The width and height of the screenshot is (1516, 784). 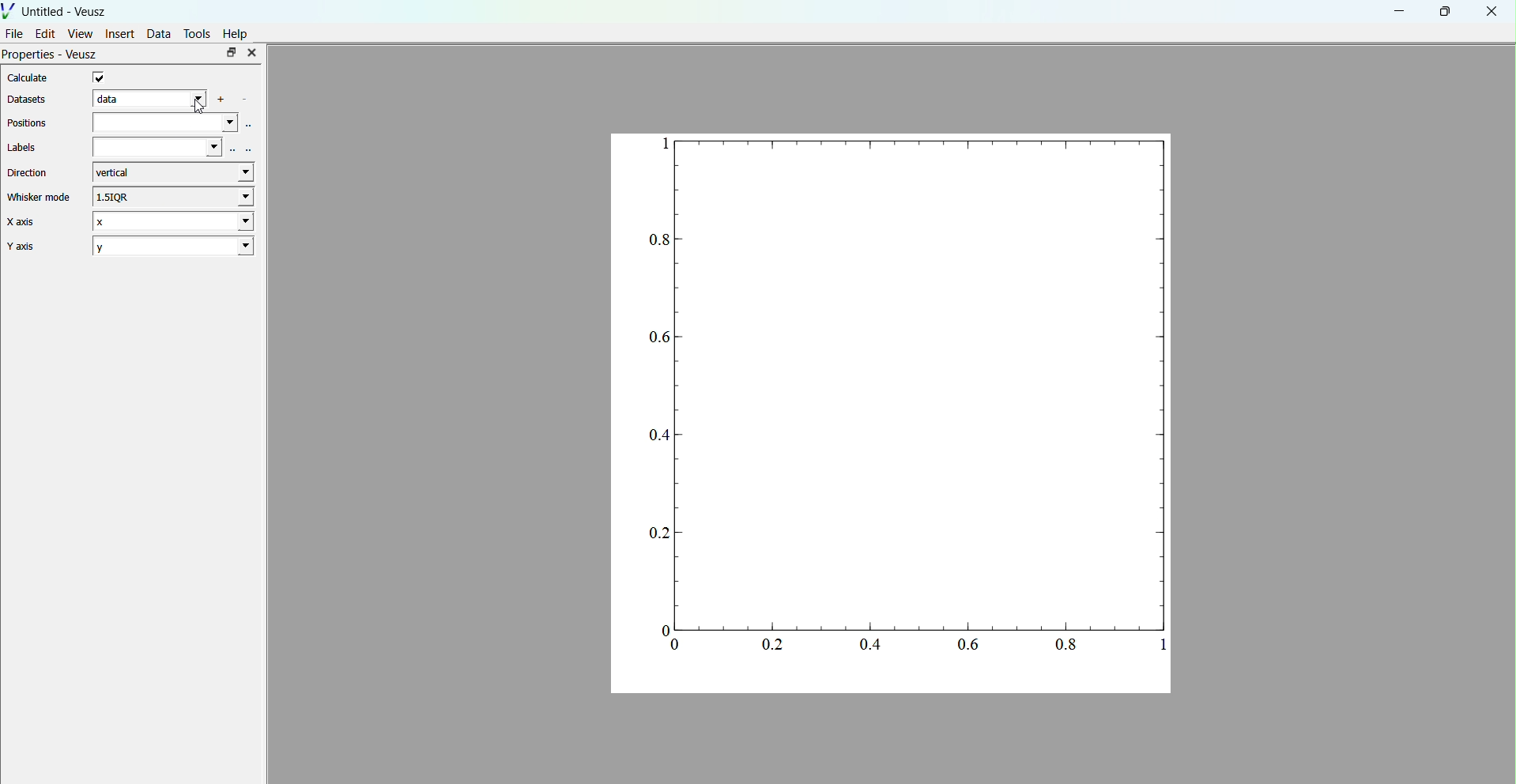 I want to click on close, so click(x=1491, y=13).